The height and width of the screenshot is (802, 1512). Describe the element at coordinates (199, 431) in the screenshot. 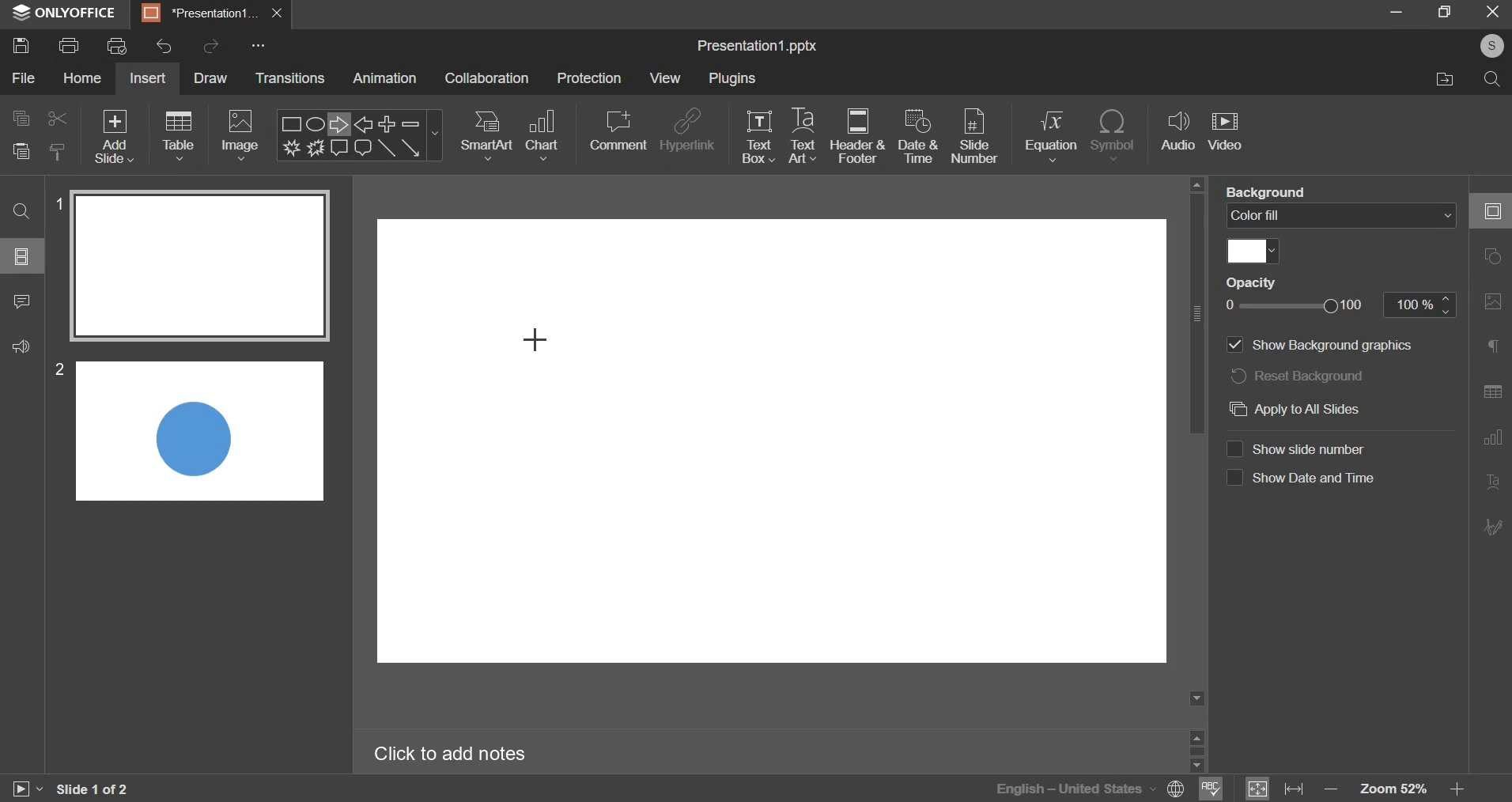

I see `slide 2 preview` at that location.